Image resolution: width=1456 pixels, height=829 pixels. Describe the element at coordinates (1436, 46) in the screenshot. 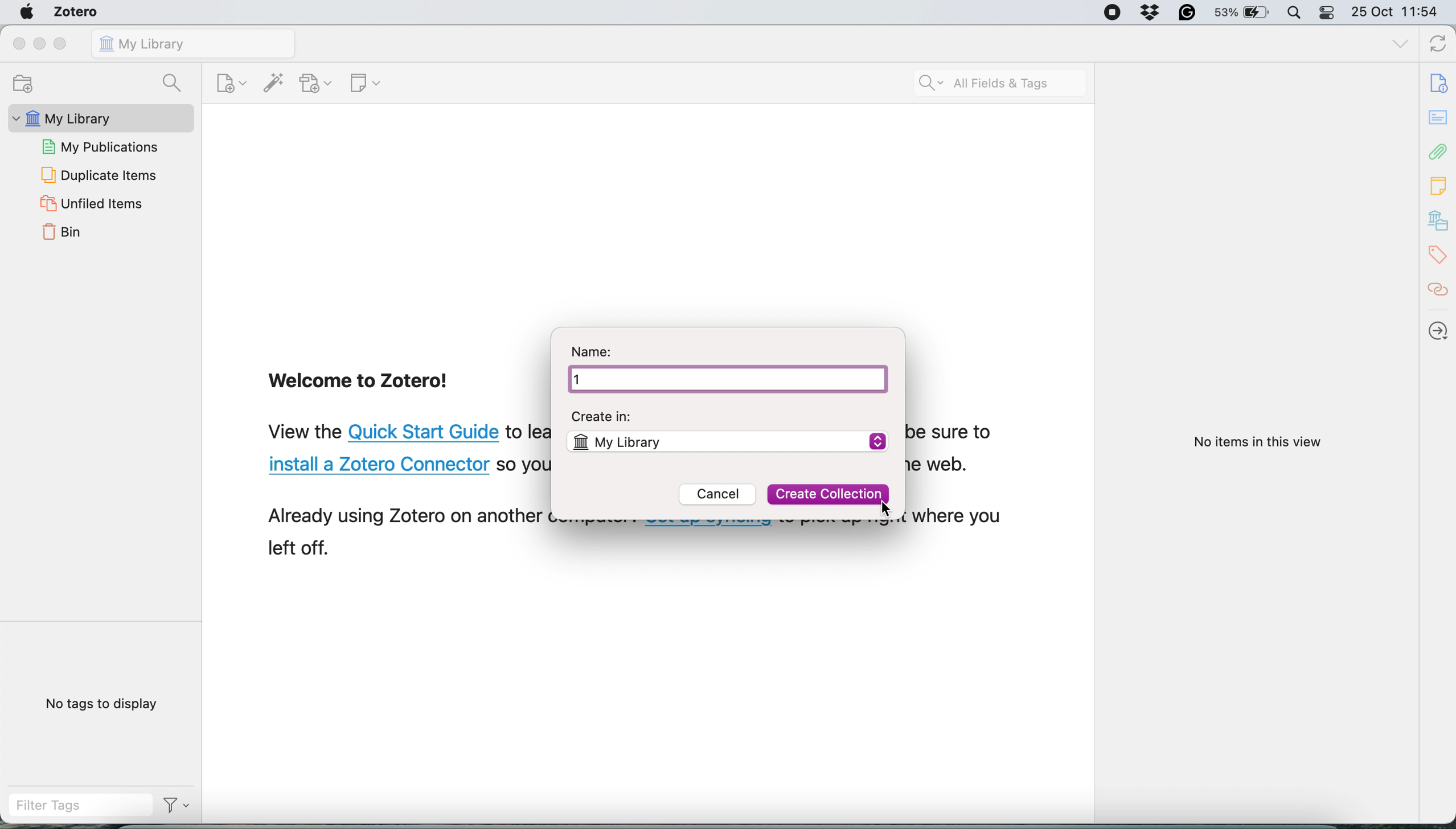

I see `sync with zotero.org` at that location.